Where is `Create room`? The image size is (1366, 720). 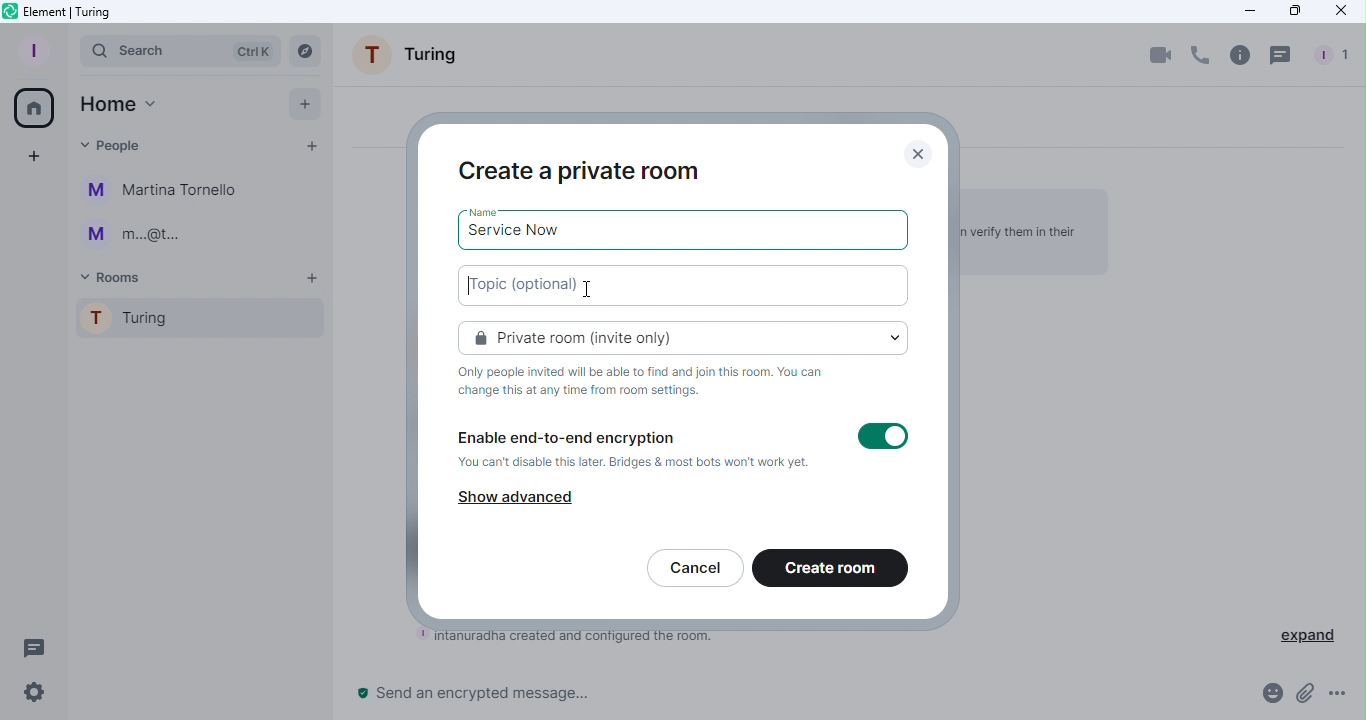
Create room is located at coordinates (832, 570).